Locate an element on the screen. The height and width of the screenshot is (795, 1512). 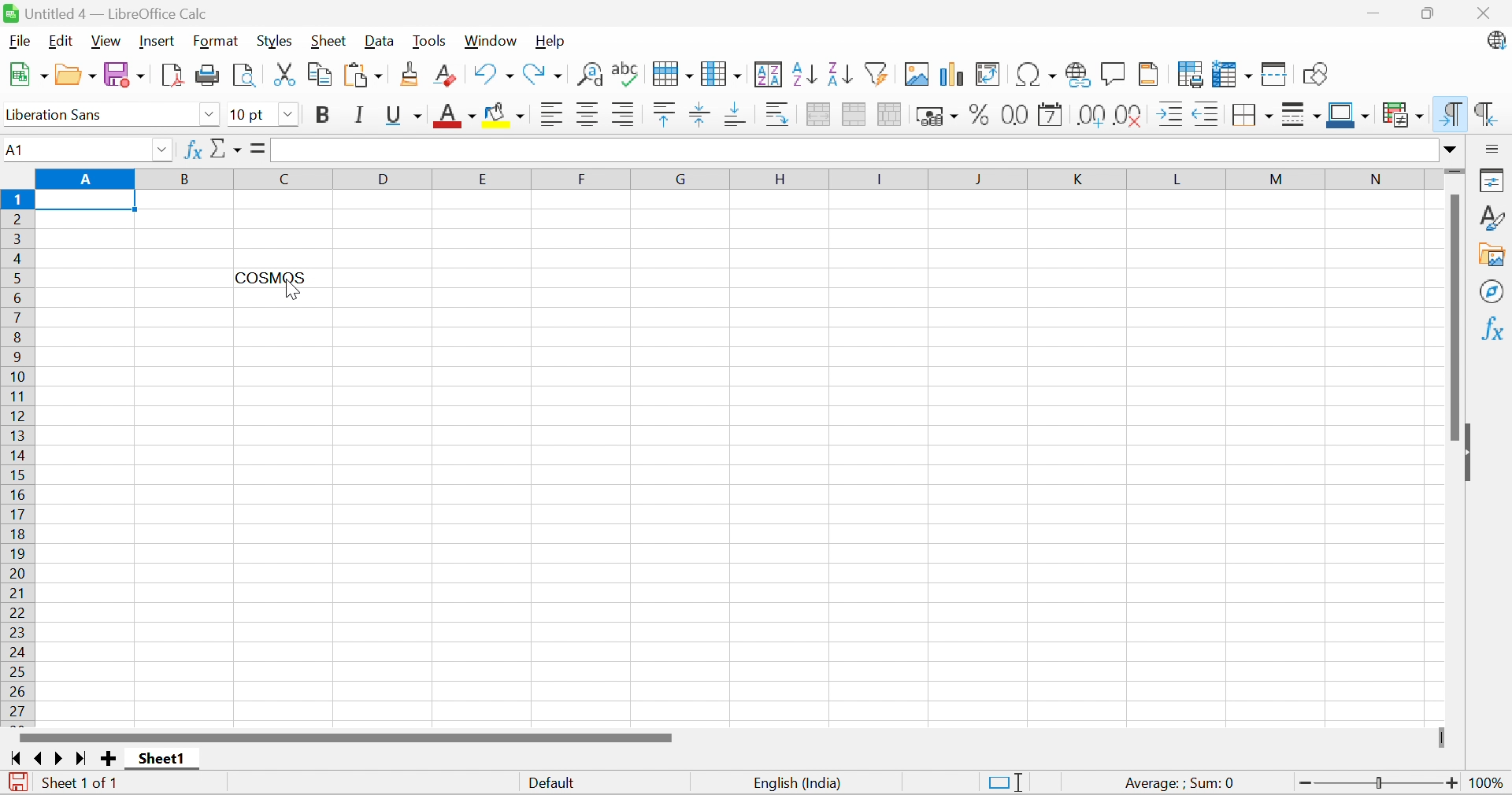
Default is located at coordinates (552, 784).